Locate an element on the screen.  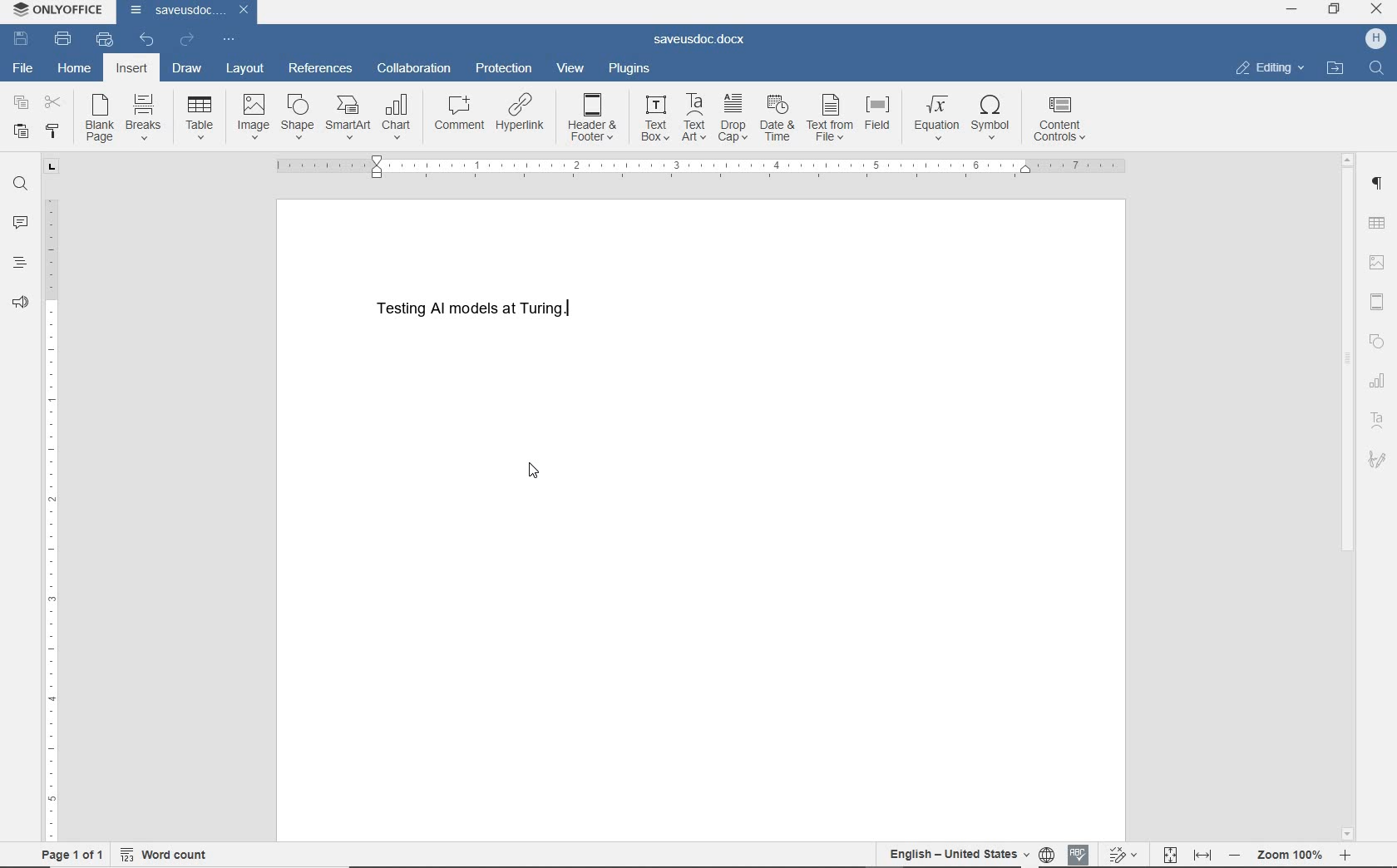
protection is located at coordinates (504, 66).